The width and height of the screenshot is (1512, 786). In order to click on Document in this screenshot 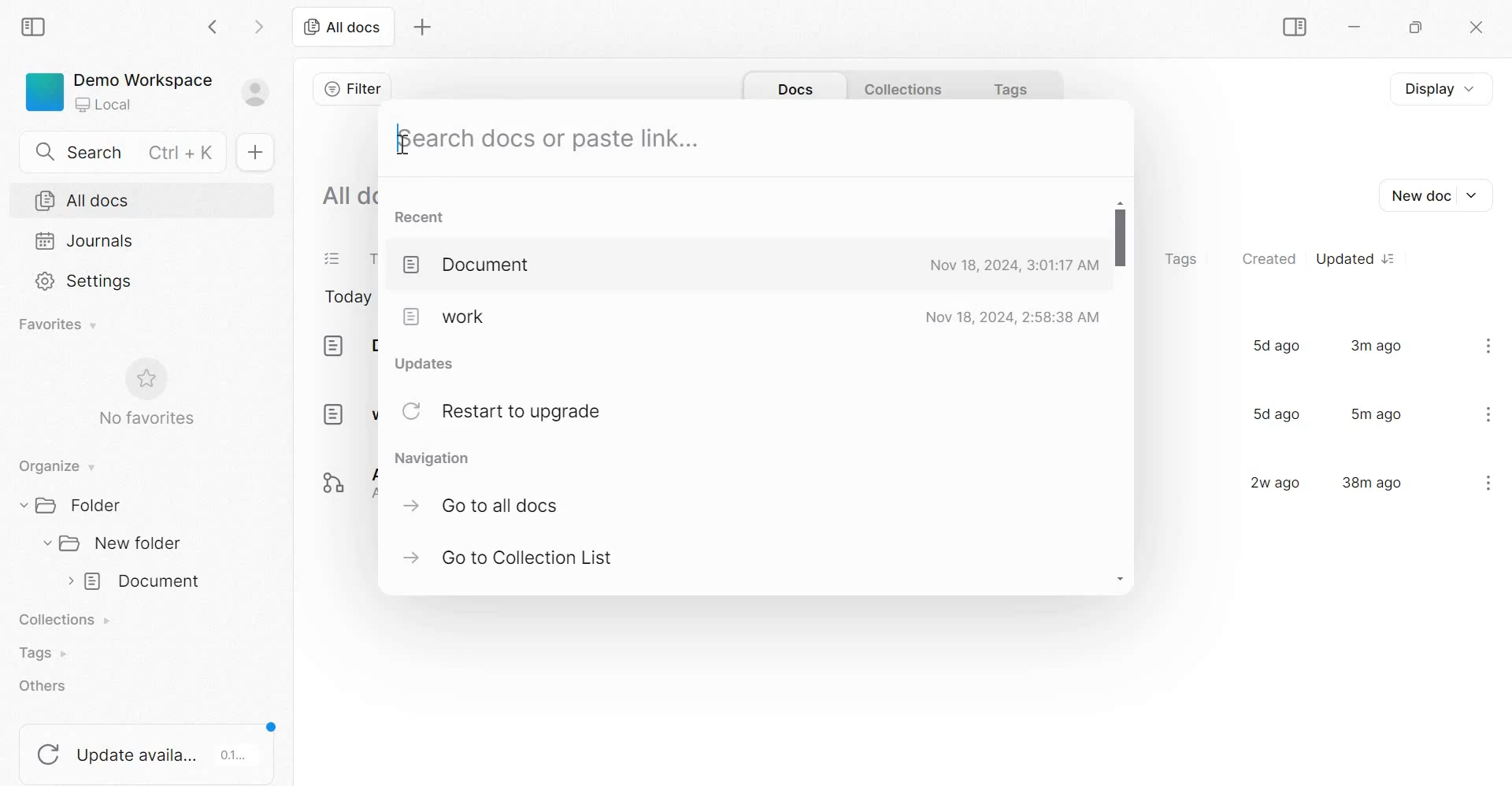, I will do `click(346, 346)`.